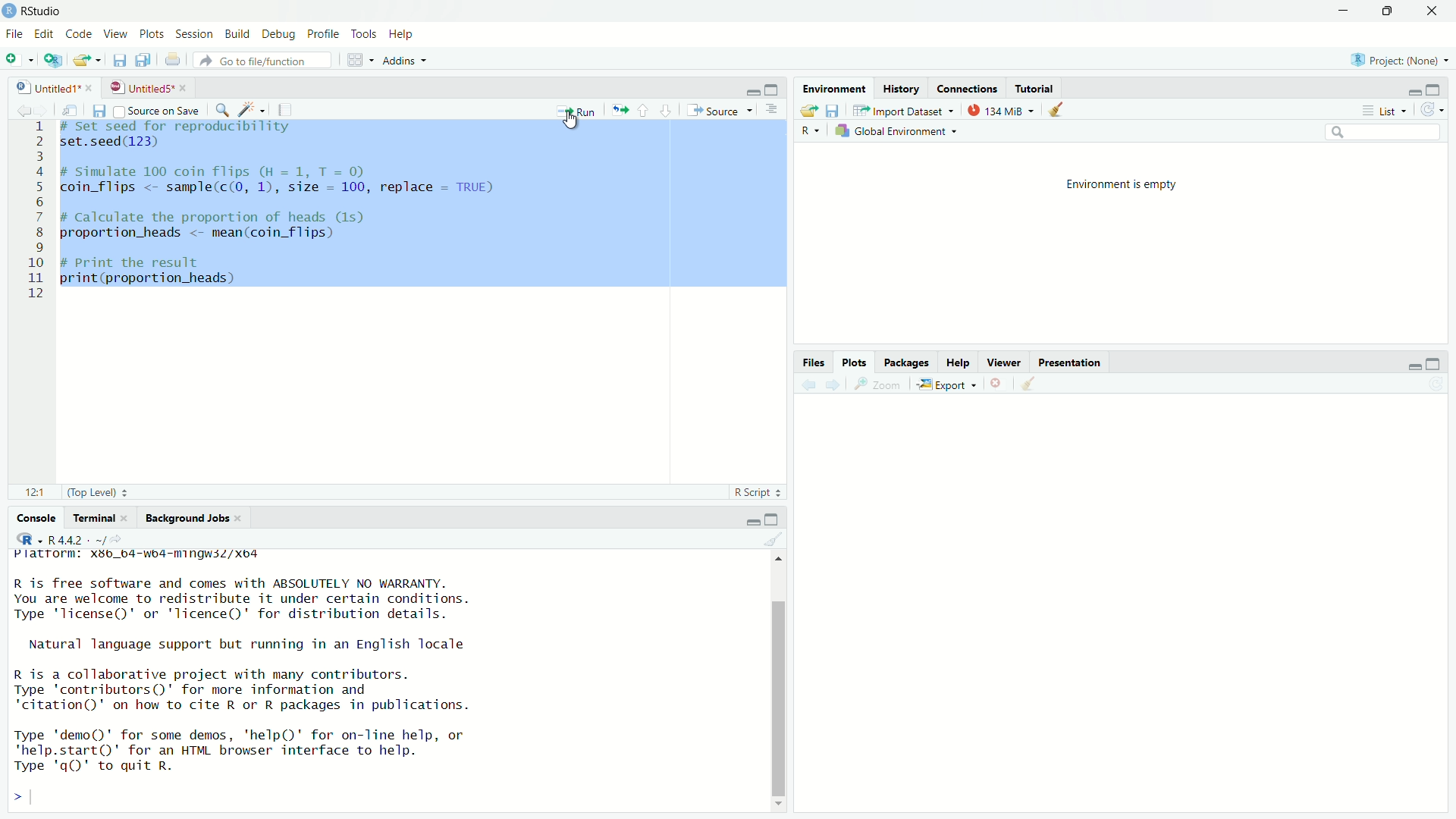 The height and width of the screenshot is (819, 1456). What do you see at coordinates (950, 384) in the screenshot?
I see `export` at bounding box center [950, 384].